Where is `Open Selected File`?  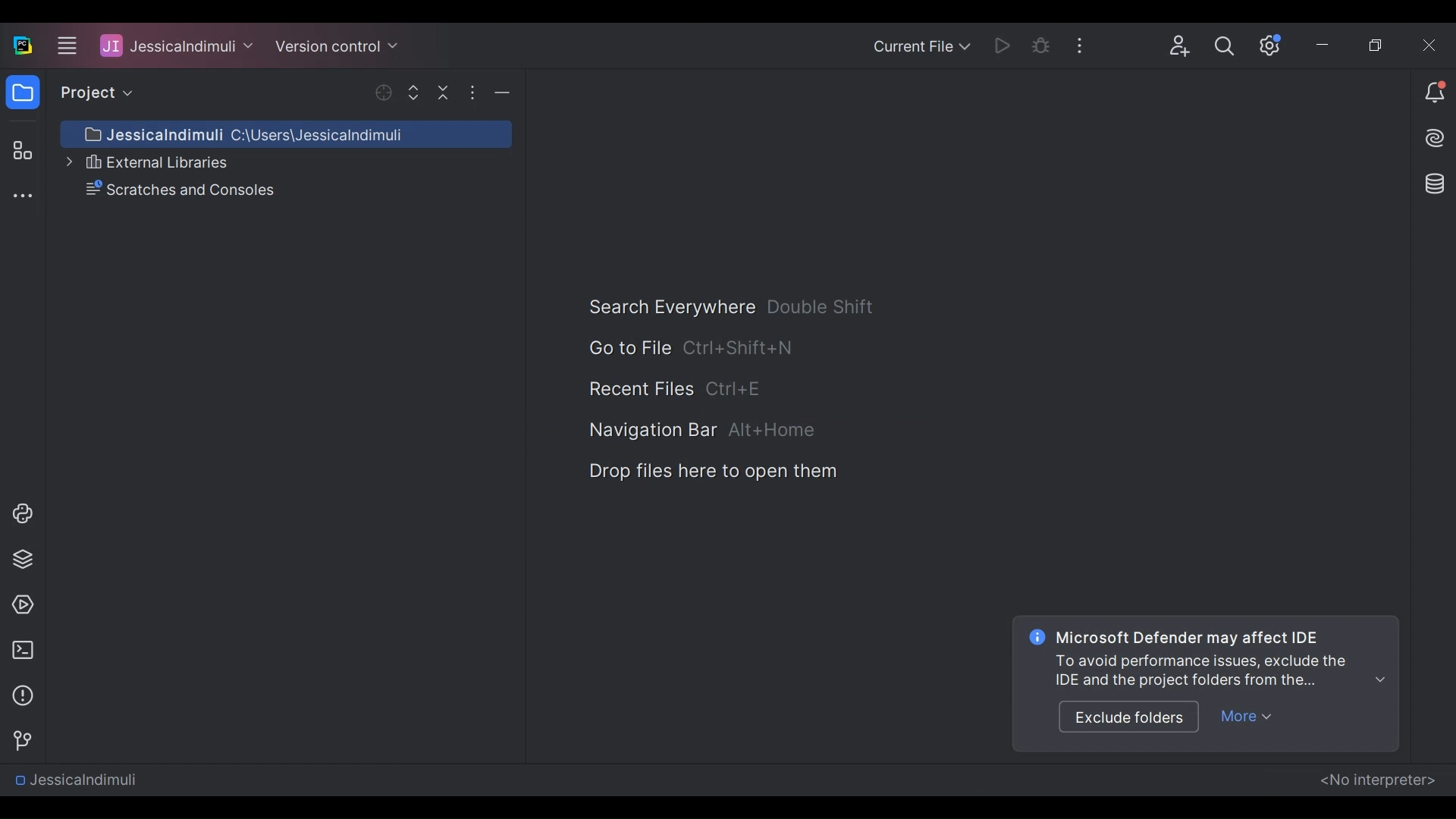 Open Selected File is located at coordinates (382, 93).